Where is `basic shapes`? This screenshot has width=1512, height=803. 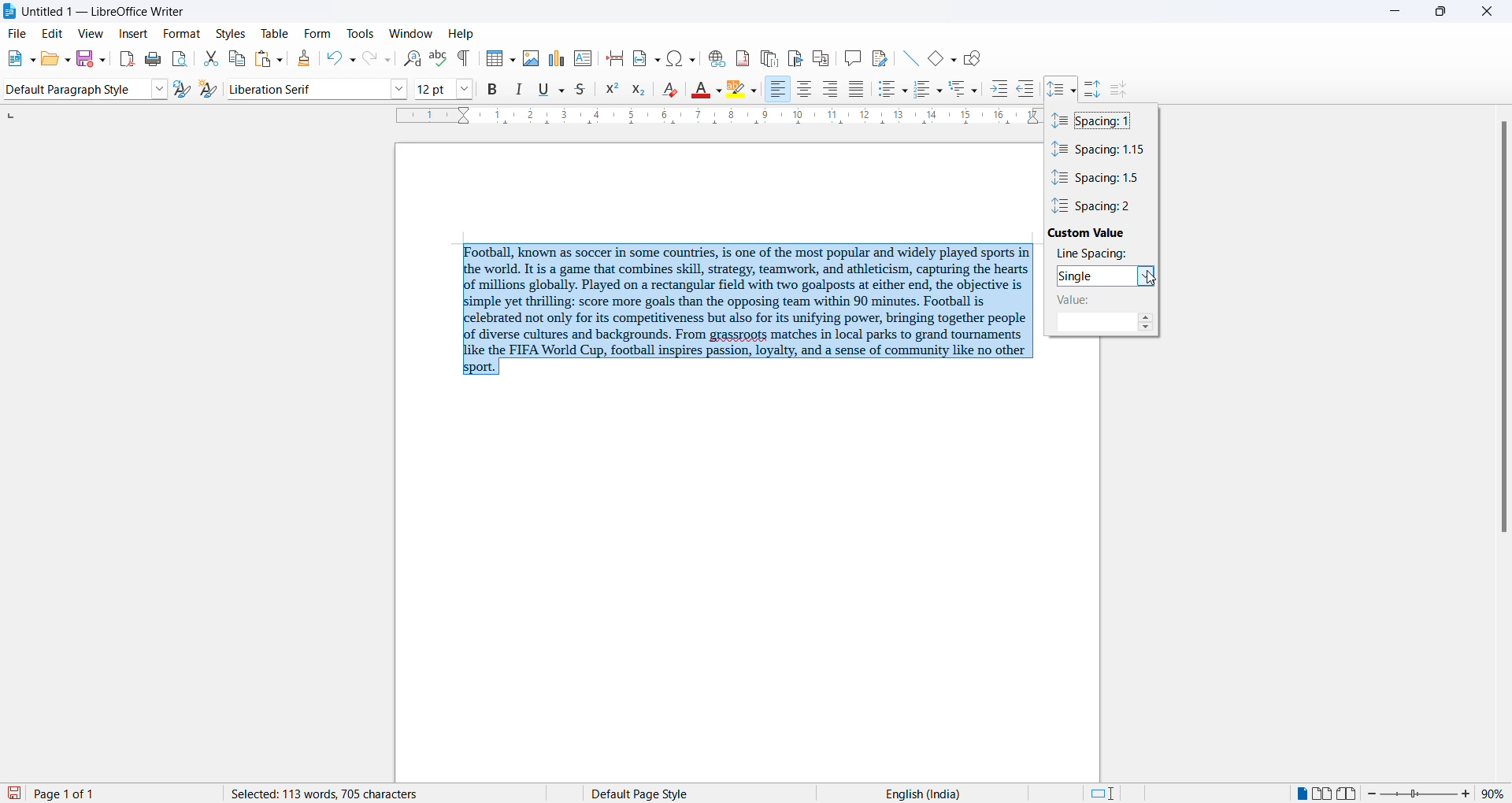
basic shapes is located at coordinates (932, 60).